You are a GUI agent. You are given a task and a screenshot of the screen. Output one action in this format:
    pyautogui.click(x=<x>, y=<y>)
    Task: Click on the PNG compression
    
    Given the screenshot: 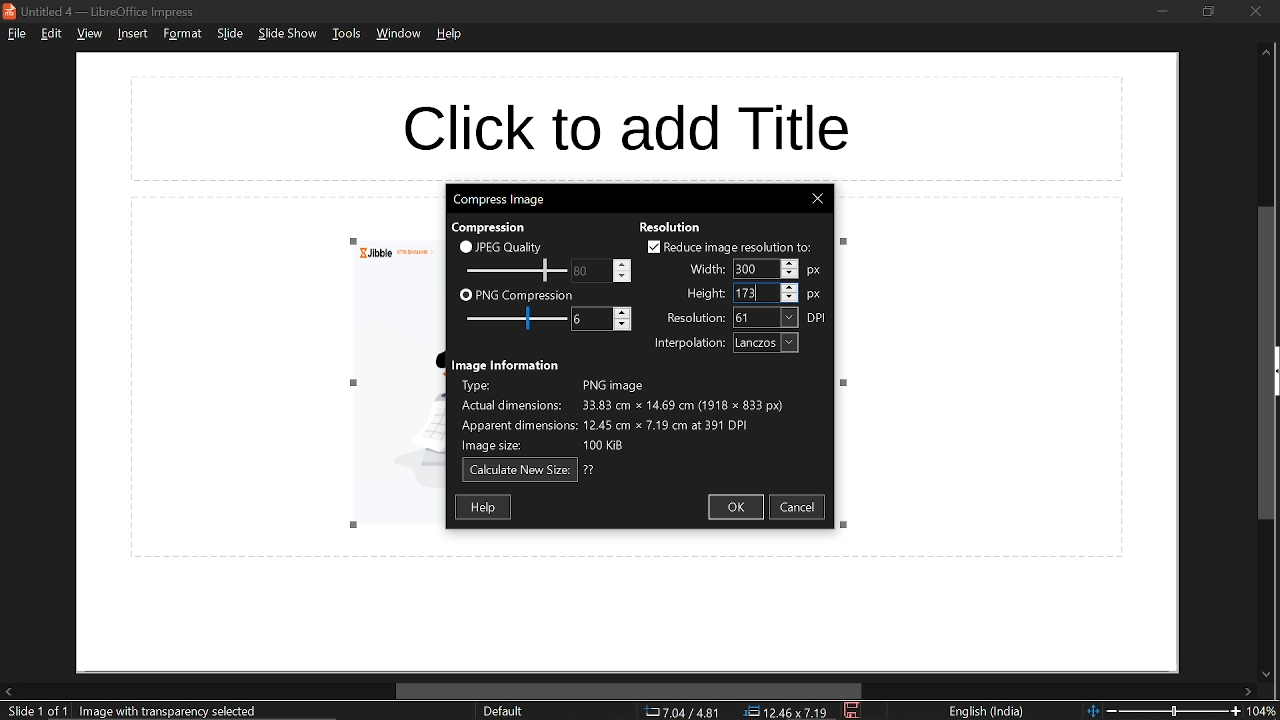 What is the action you would take?
    pyautogui.click(x=526, y=294)
    